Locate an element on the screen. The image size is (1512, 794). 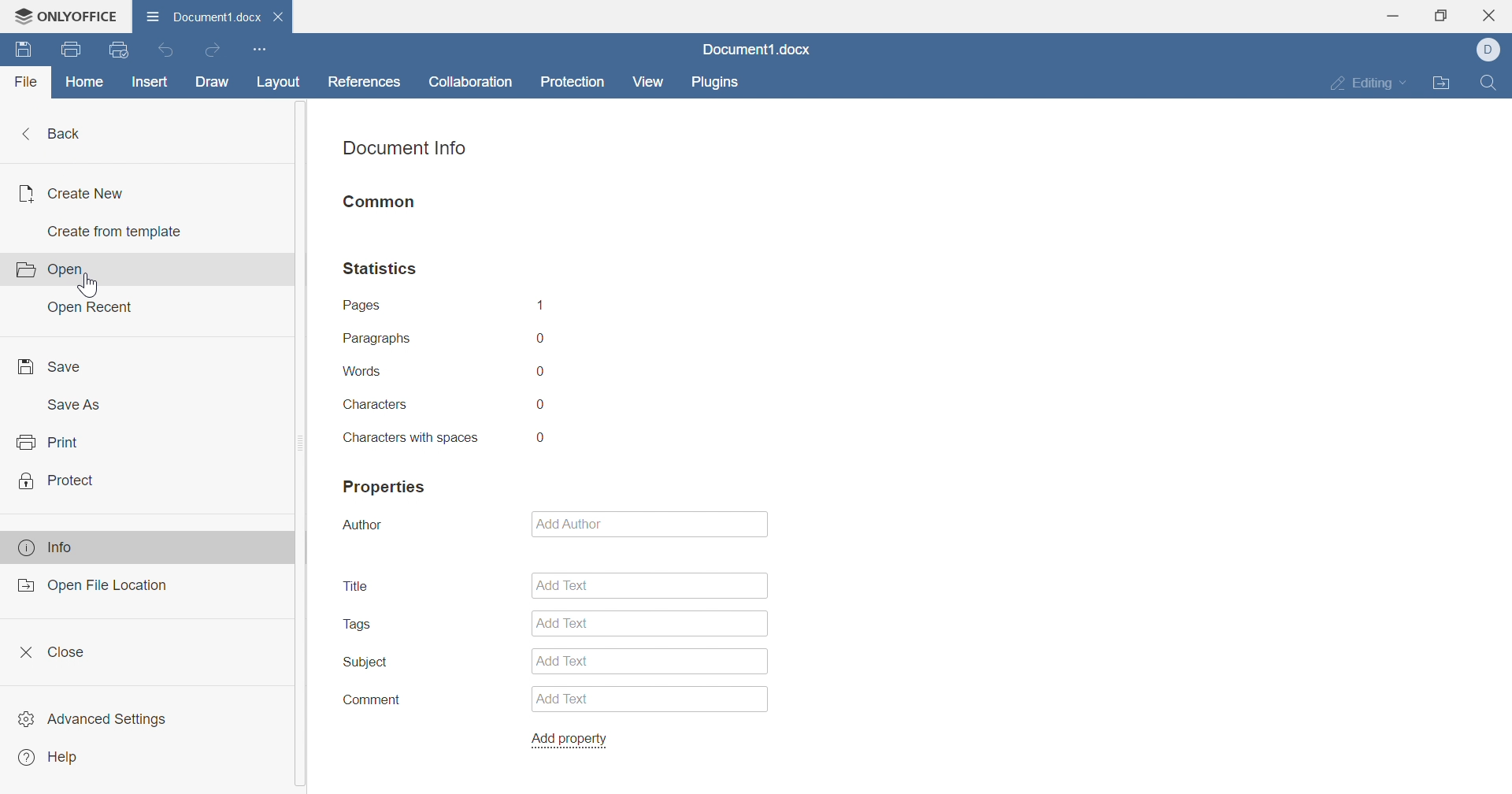
undo is located at coordinates (166, 52).